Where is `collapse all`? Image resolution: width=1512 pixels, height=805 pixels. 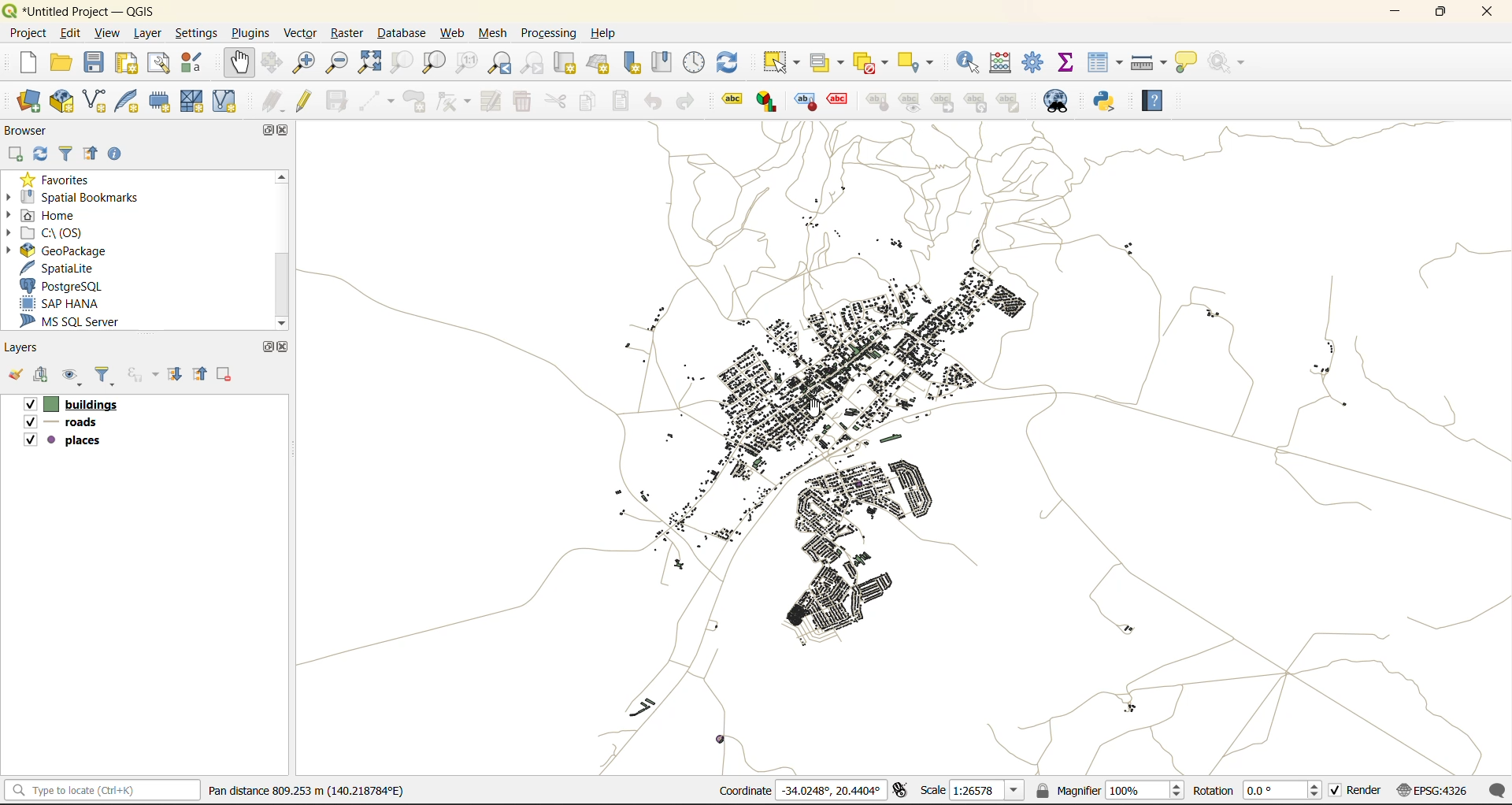
collapse all is located at coordinates (203, 373).